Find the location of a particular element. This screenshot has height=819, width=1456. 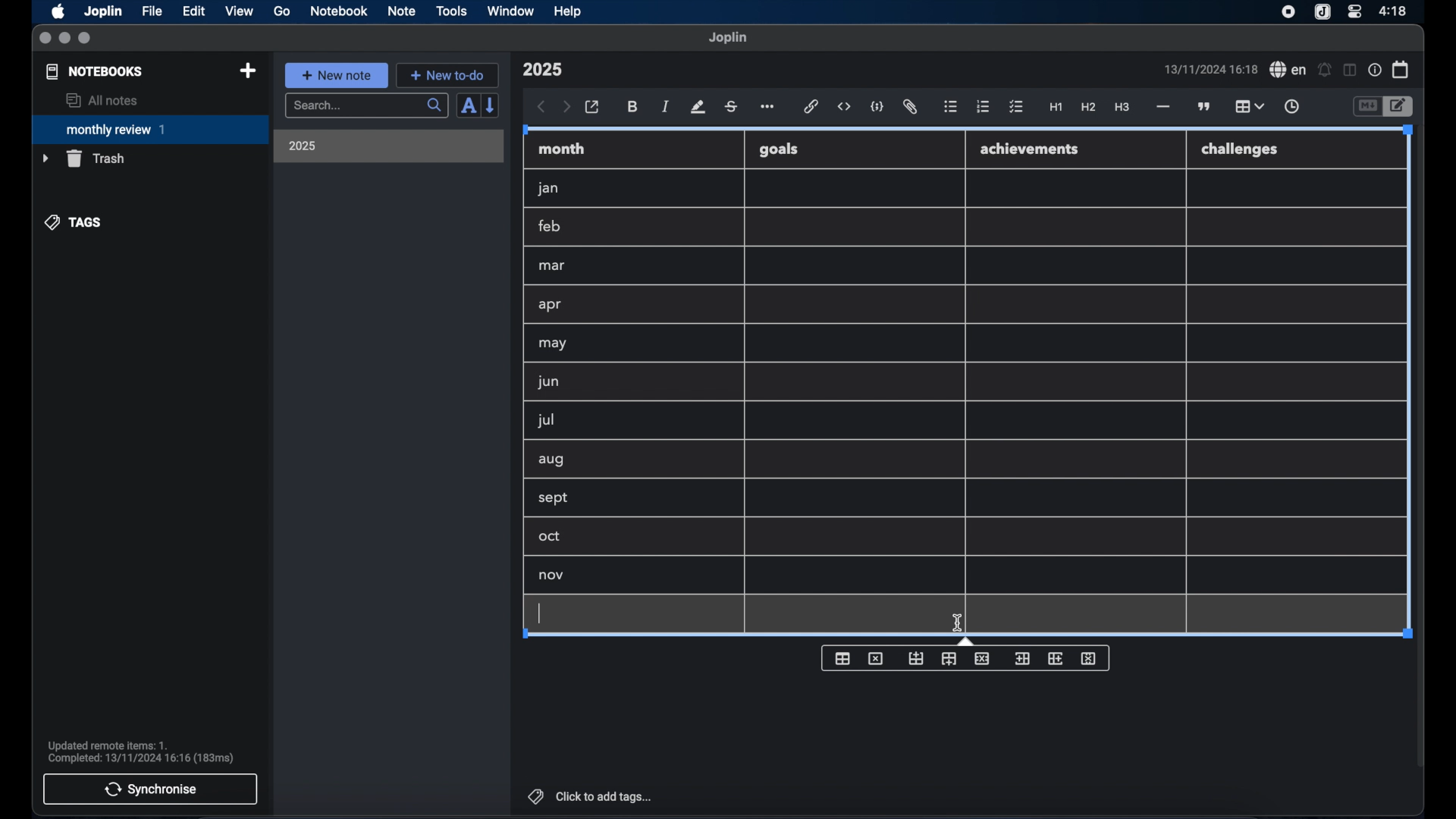

go is located at coordinates (282, 11).